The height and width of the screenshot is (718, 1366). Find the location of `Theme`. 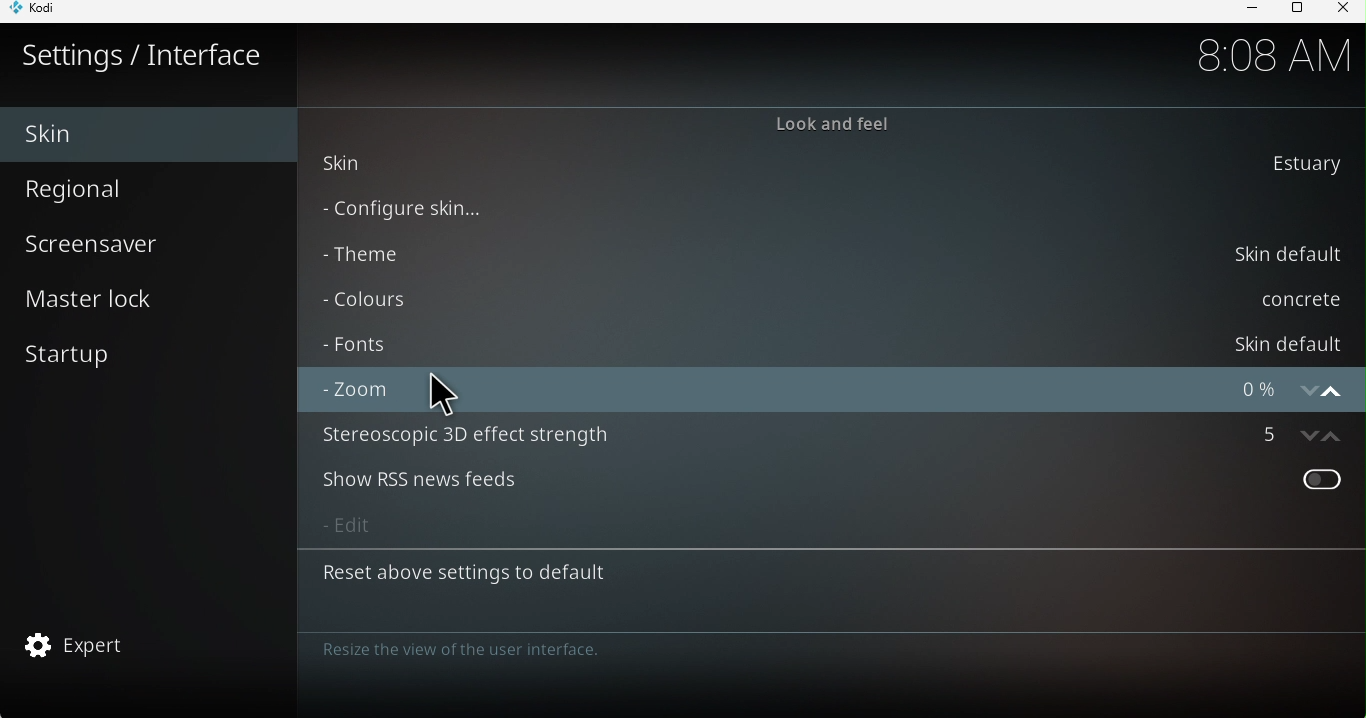

Theme is located at coordinates (824, 253).